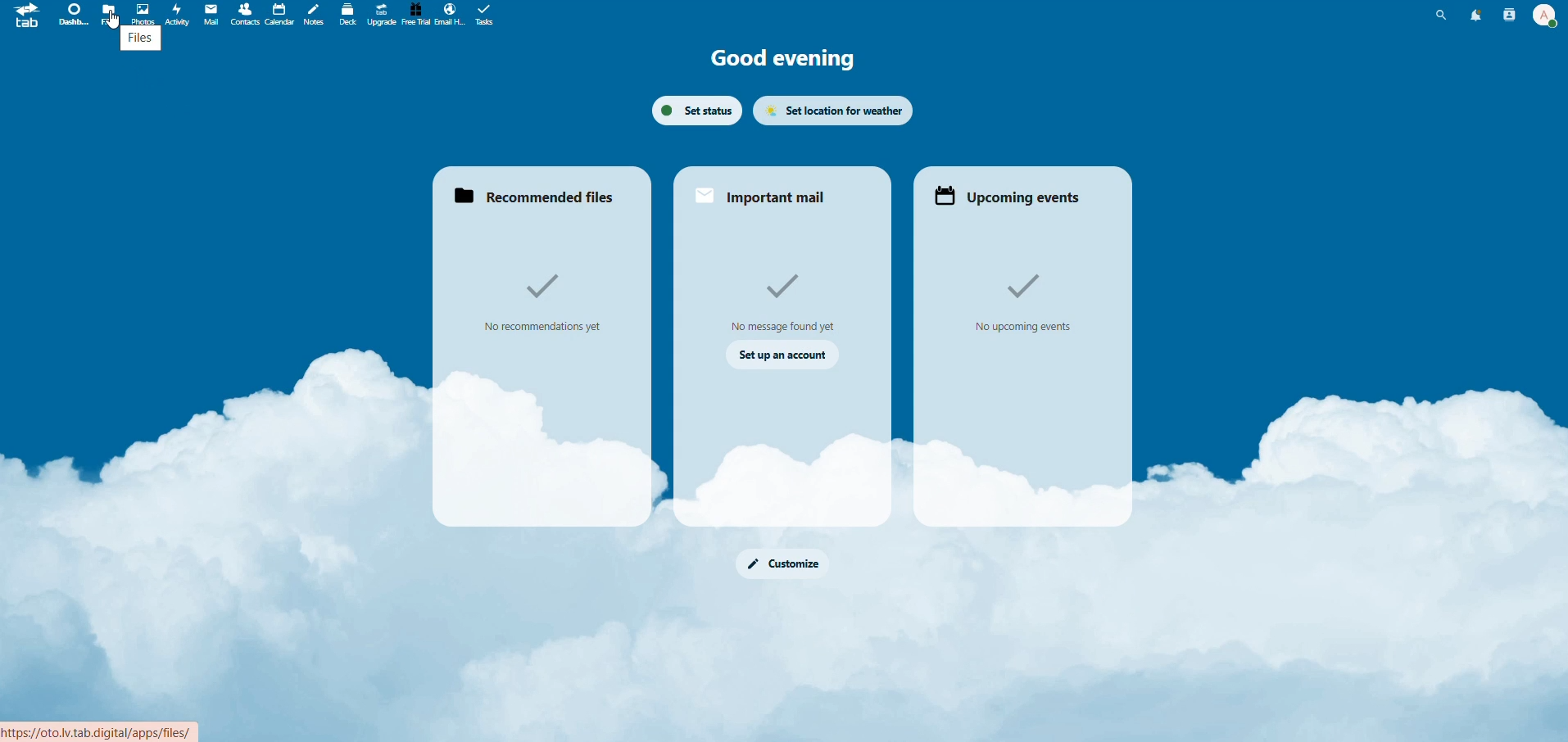  Describe the element at coordinates (540, 199) in the screenshot. I see `Recommended Files` at that location.